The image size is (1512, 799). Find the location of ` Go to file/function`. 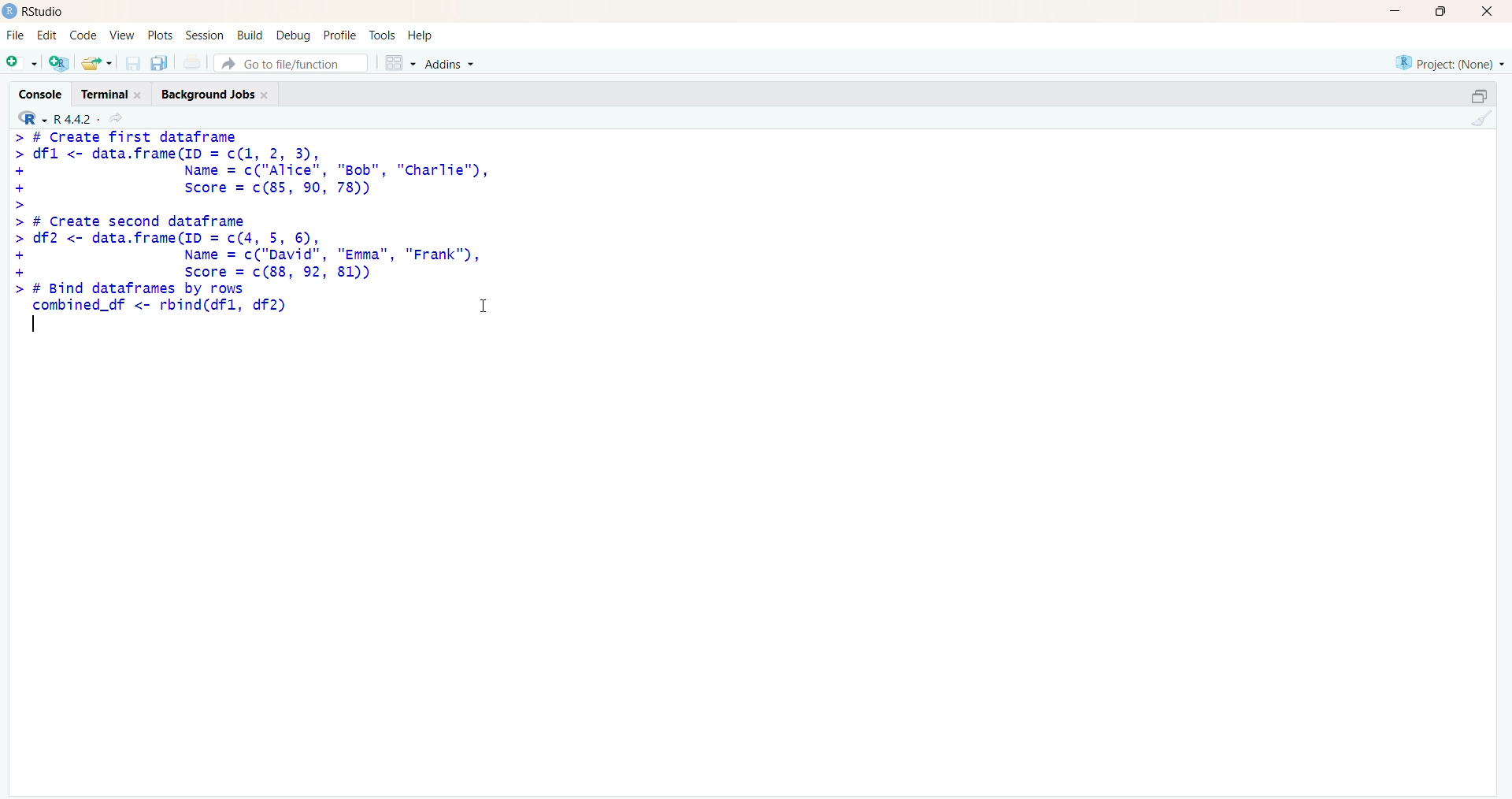

 Go to file/function is located at coordinates (291, 64).